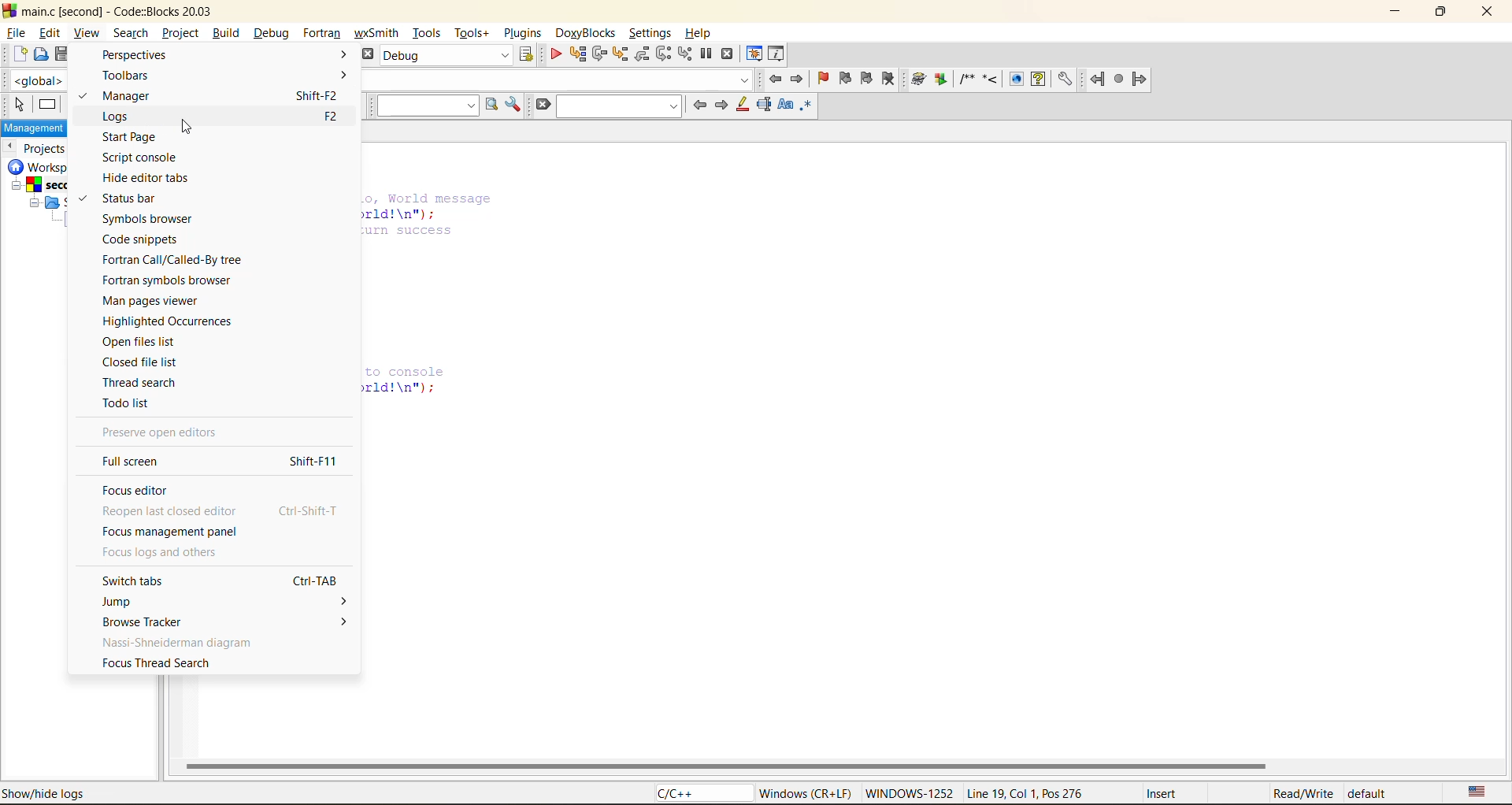 The height and width of the screenshot is (805, 1512). I want to click on debug, so click(272, 32).